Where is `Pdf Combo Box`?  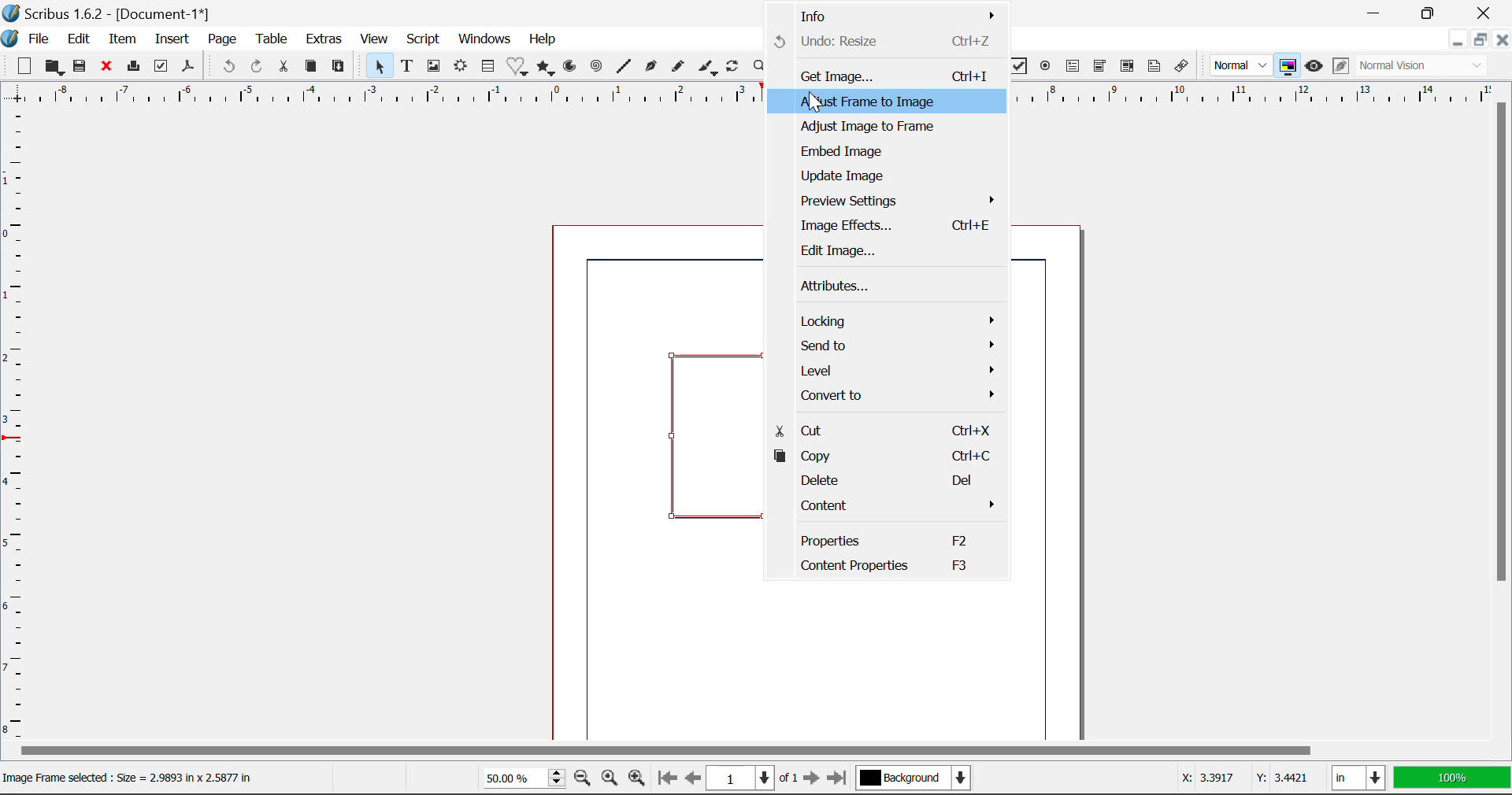 Pdf Combo Box is located at coordinates (1098, 66).